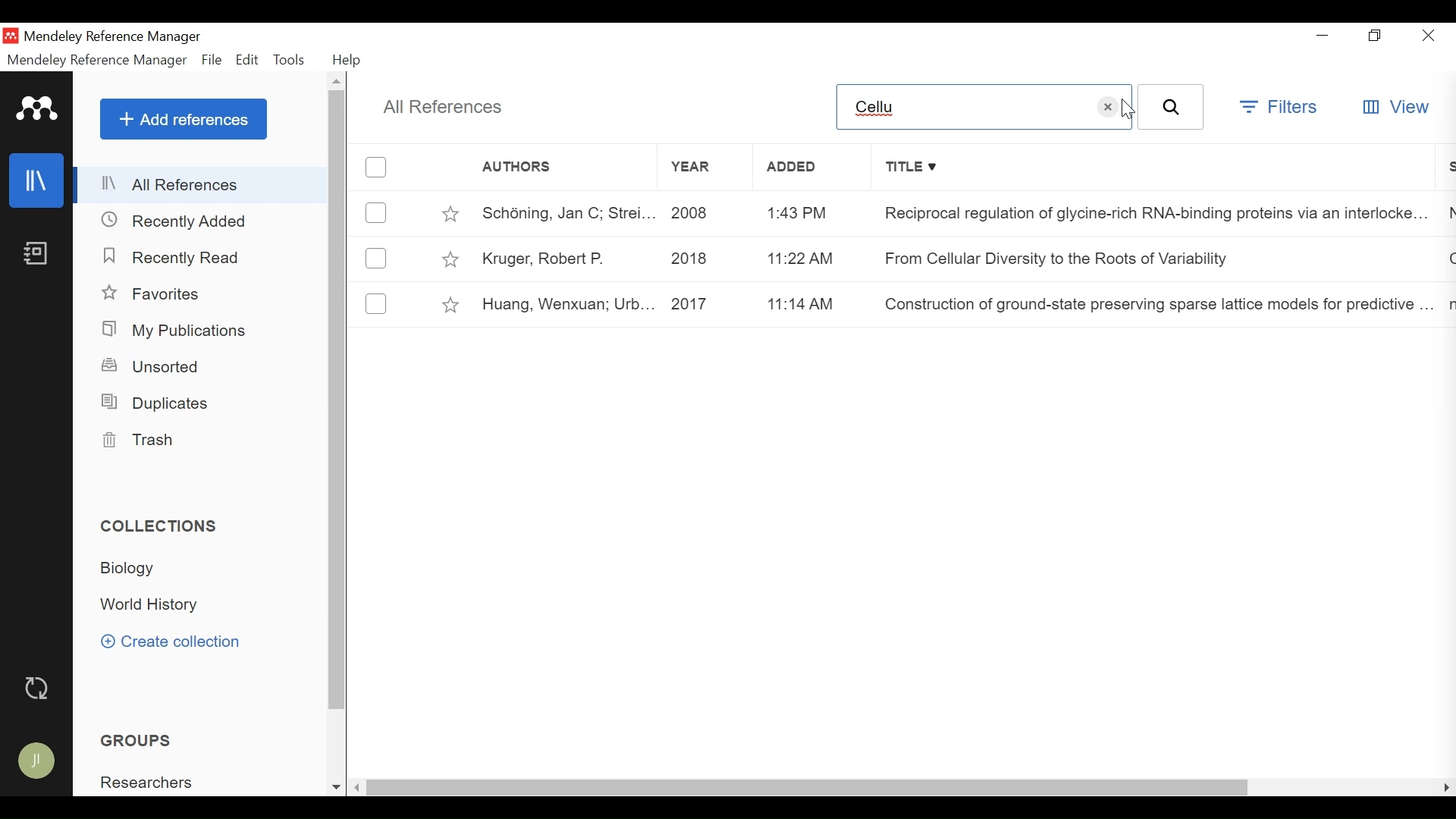  What do you see at coordinates (152, 367) in the screenshot?
I see `Unsorted` at bounding box center [152, 367].